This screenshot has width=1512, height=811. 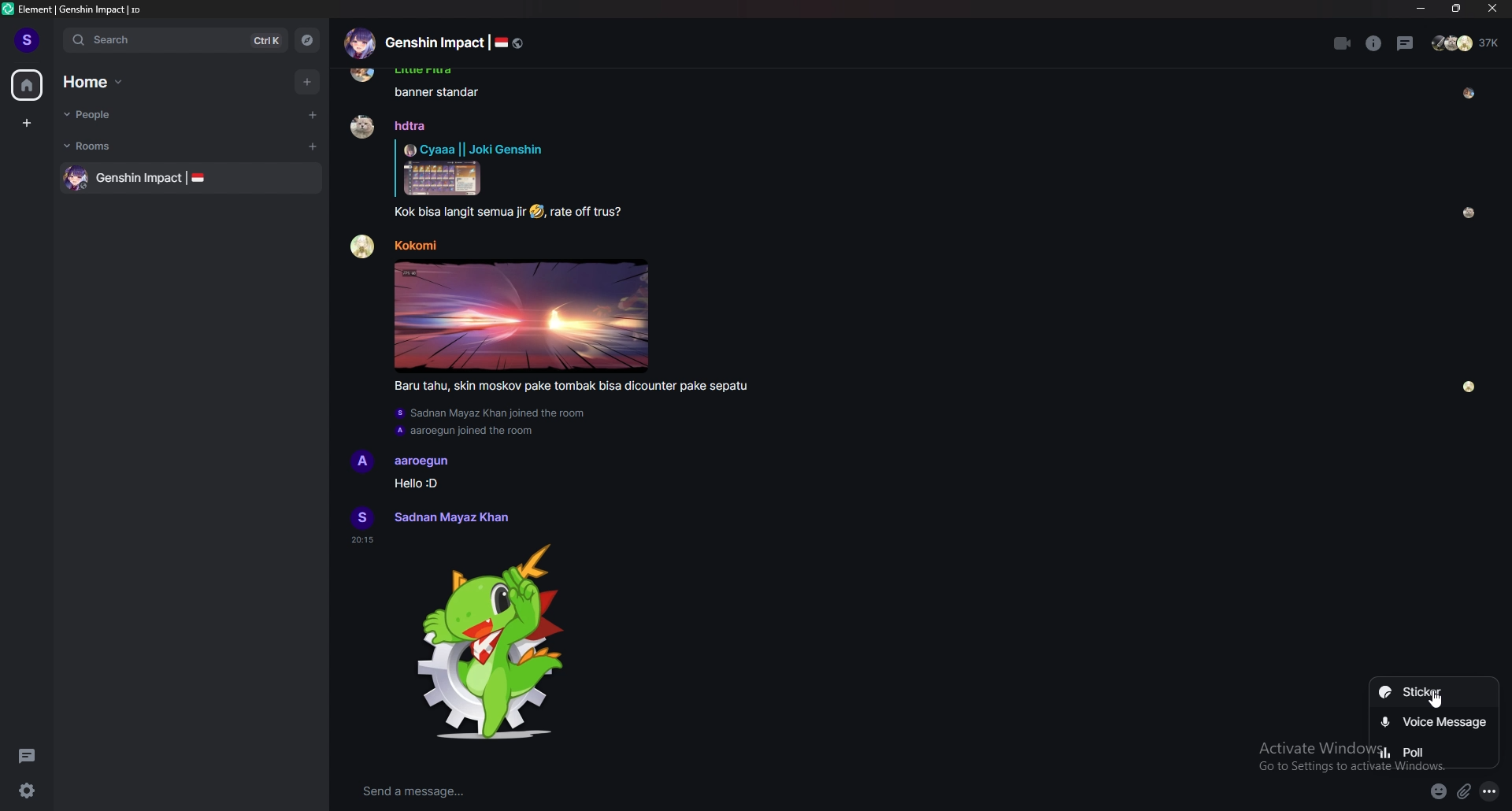 What do you see at coordinates (490, 643) in the screenshot?
I see `Kongi admins sticker` at bounding box center [490, 643].